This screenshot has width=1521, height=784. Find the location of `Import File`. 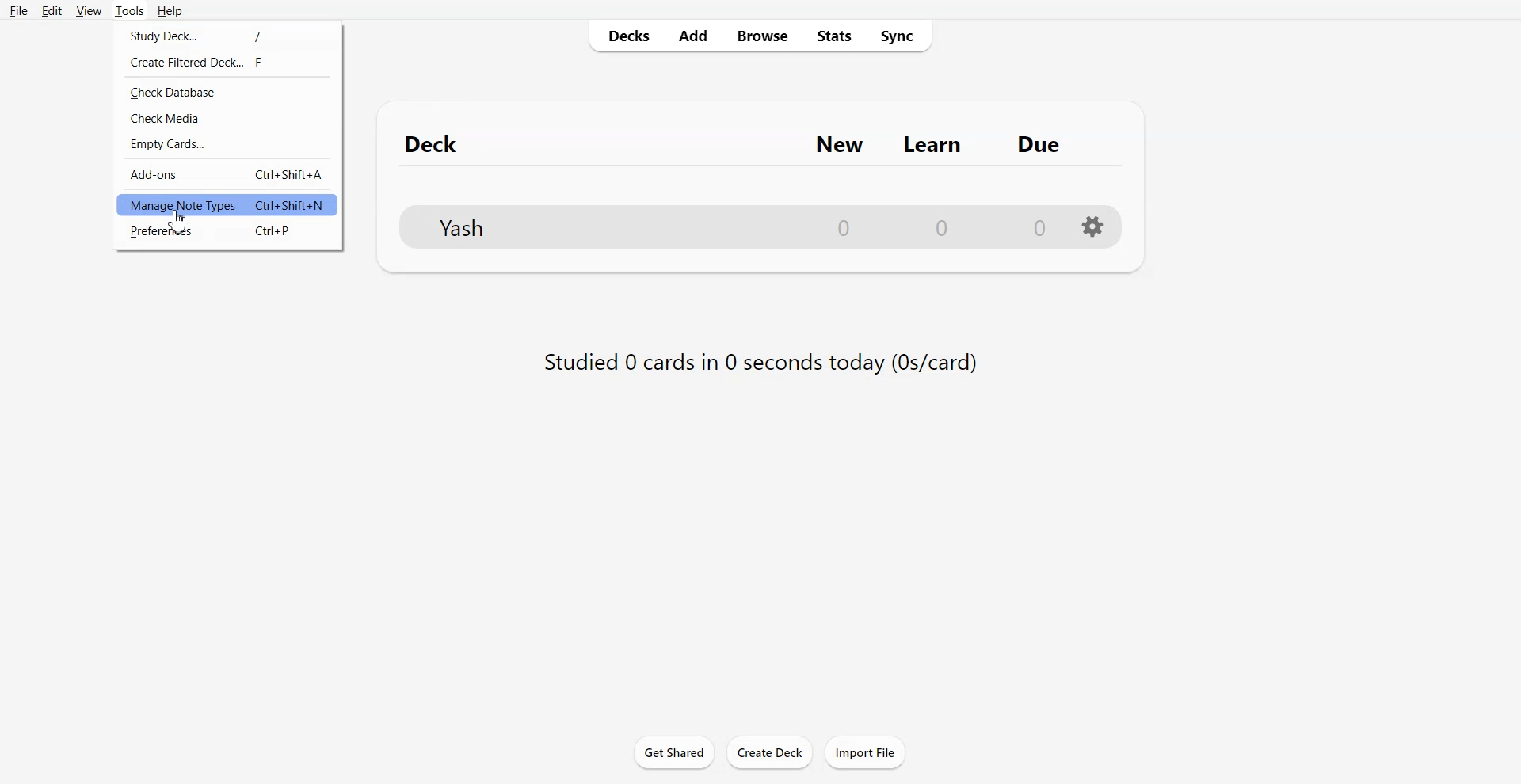

Import File is located at coordinates (866, 752).